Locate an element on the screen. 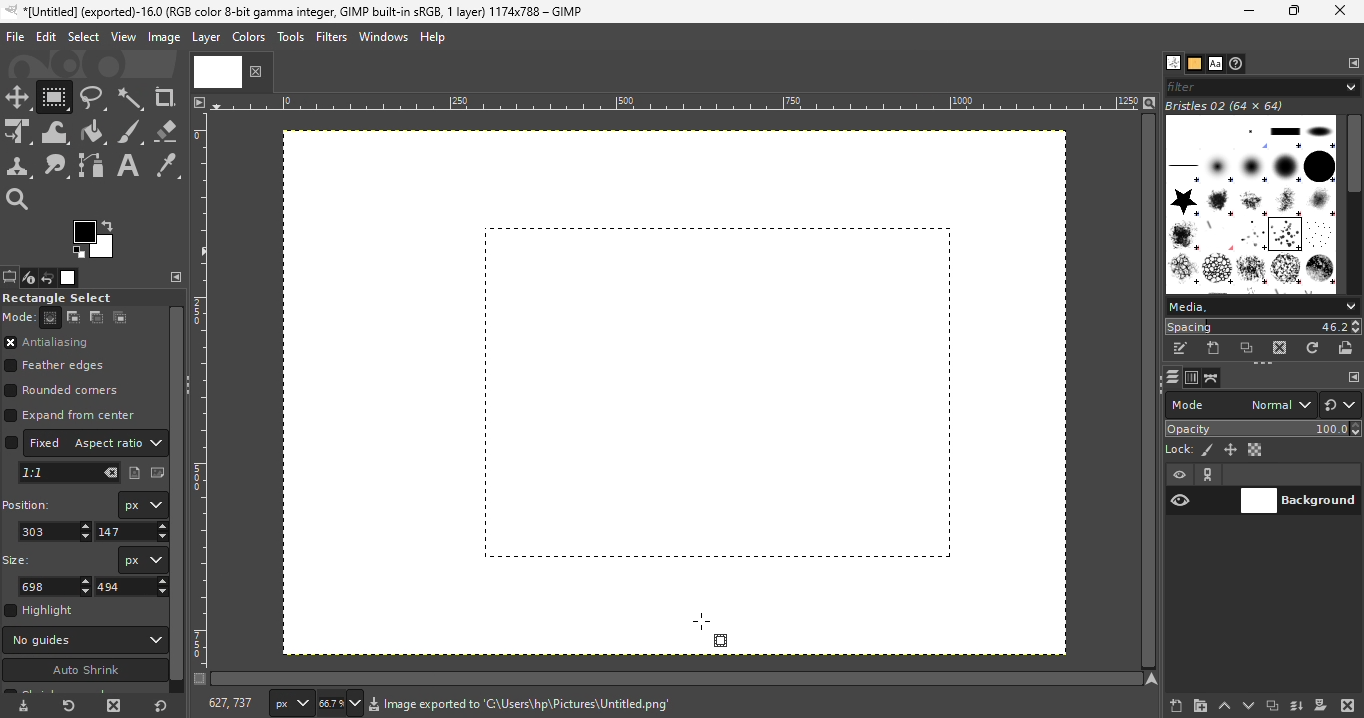 Image resolution: width=1364 pixels, height=718 pixels. Fuzzy select tool is located at coordinates (132, 98).